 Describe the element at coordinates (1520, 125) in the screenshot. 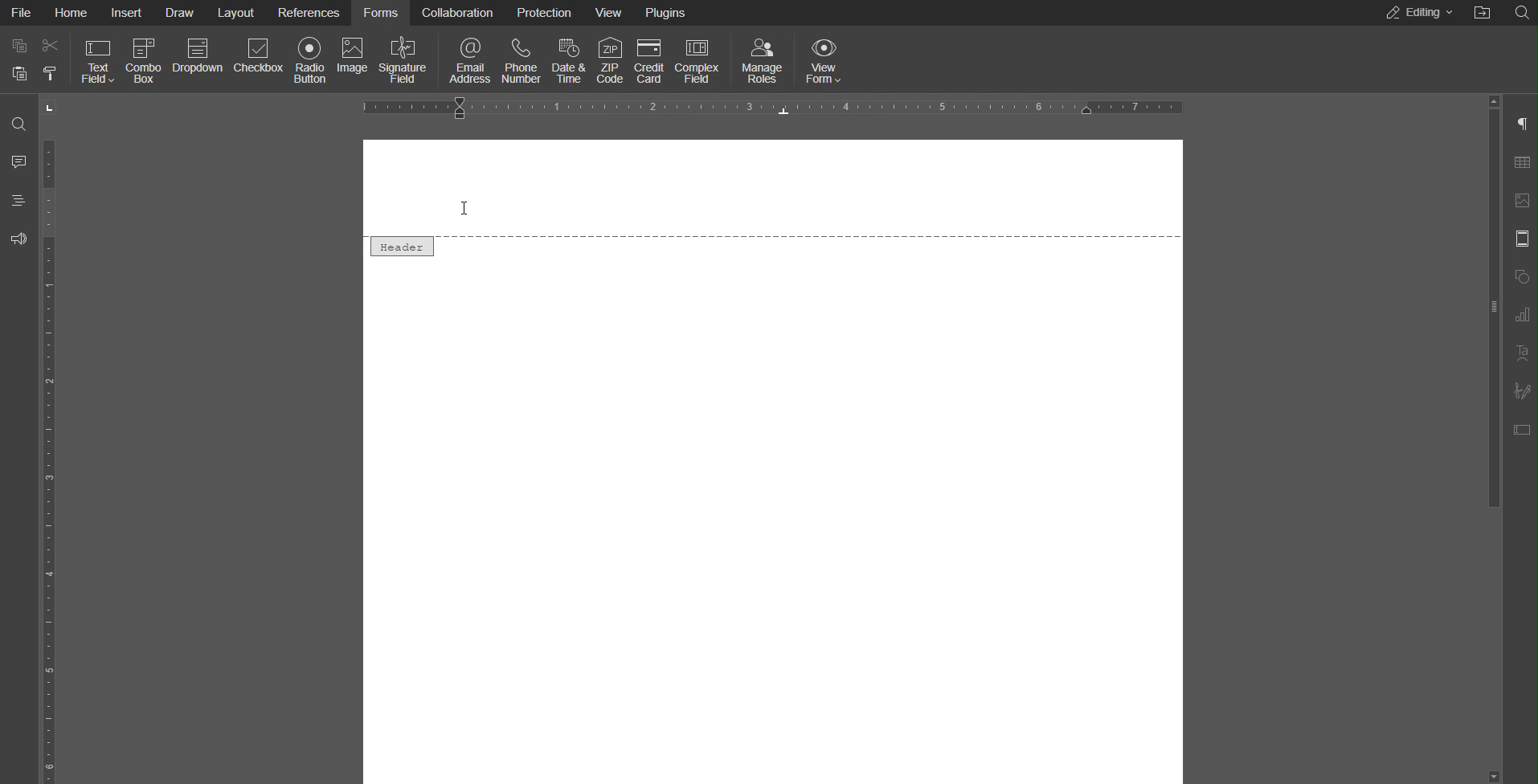

I see `Paragraph Settings` at that location.